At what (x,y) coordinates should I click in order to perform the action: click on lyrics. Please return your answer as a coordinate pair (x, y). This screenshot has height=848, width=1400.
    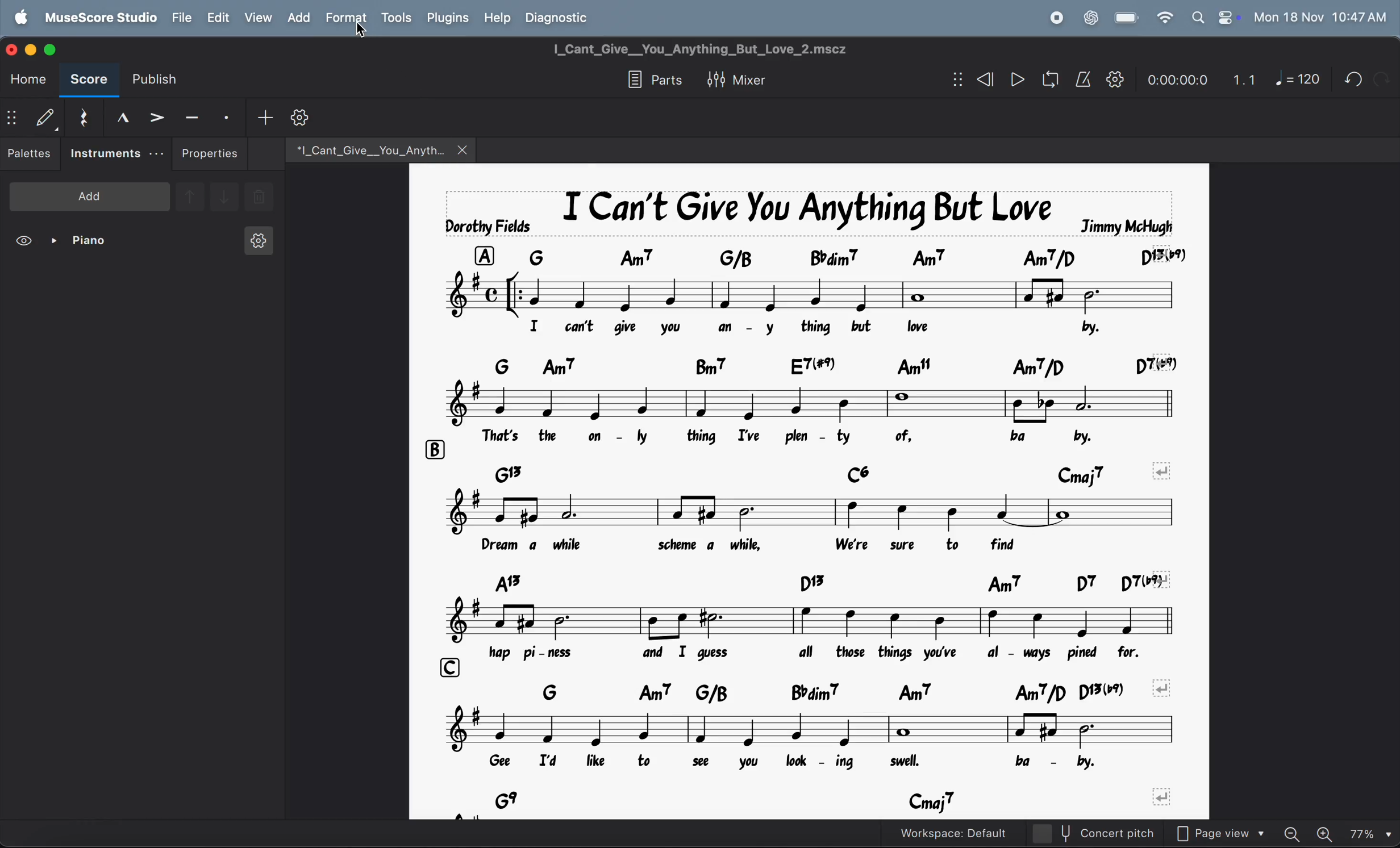
    Looking at the image, I should click on (803, 548).